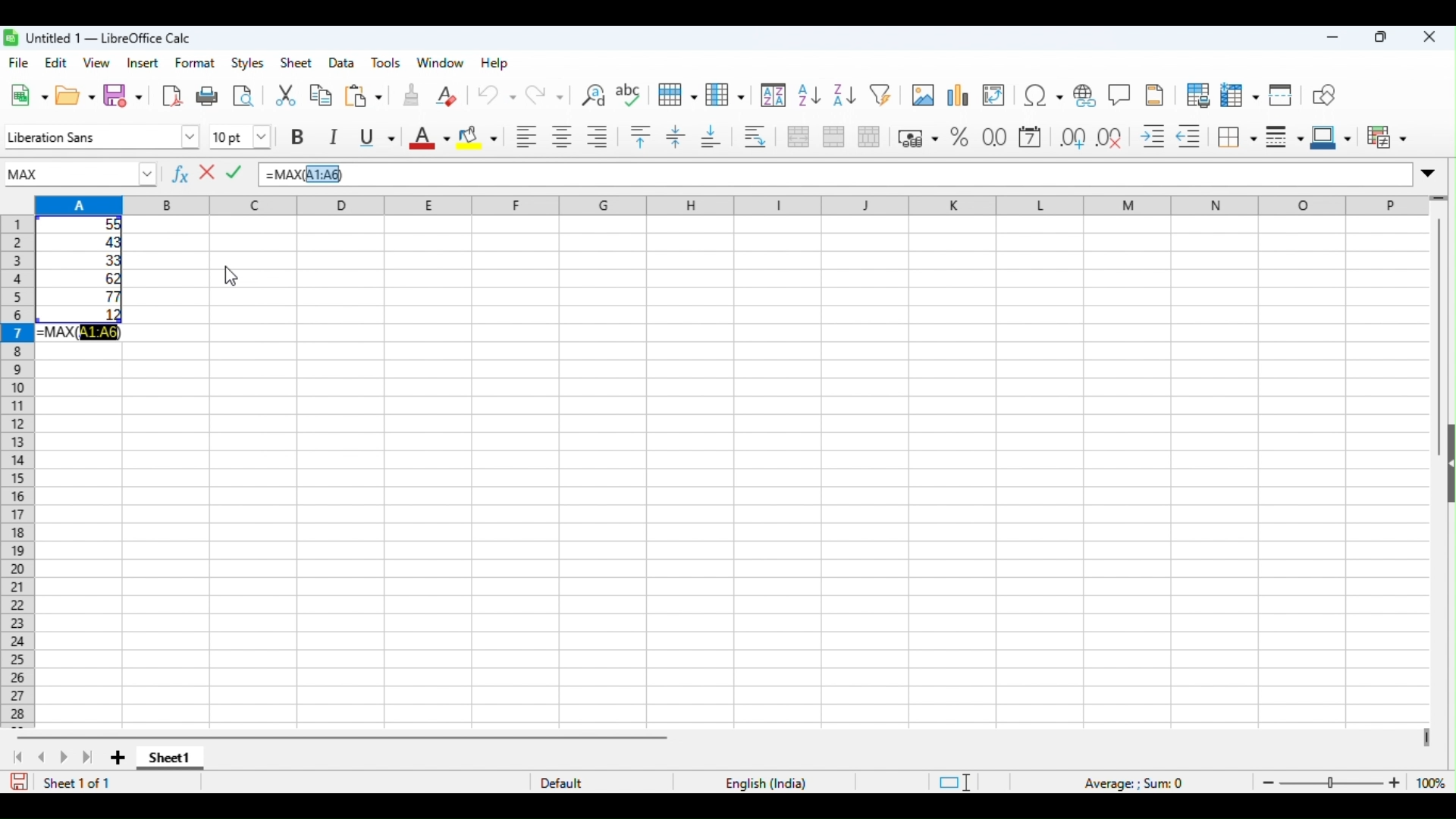  I want to click on formula for max fuction, so click(302, 175).